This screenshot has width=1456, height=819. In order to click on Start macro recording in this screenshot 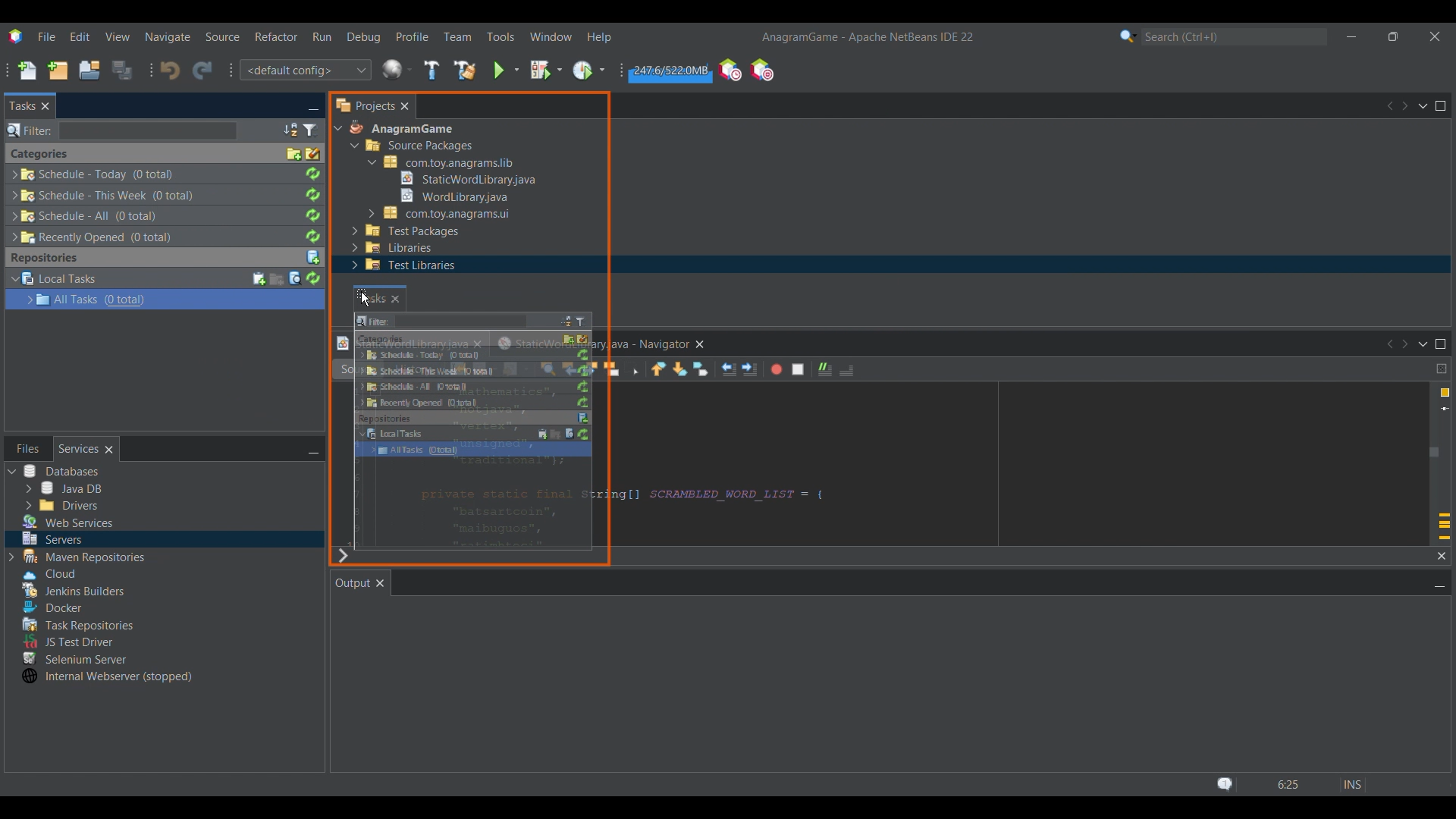, I will do `click(777, 369)`.